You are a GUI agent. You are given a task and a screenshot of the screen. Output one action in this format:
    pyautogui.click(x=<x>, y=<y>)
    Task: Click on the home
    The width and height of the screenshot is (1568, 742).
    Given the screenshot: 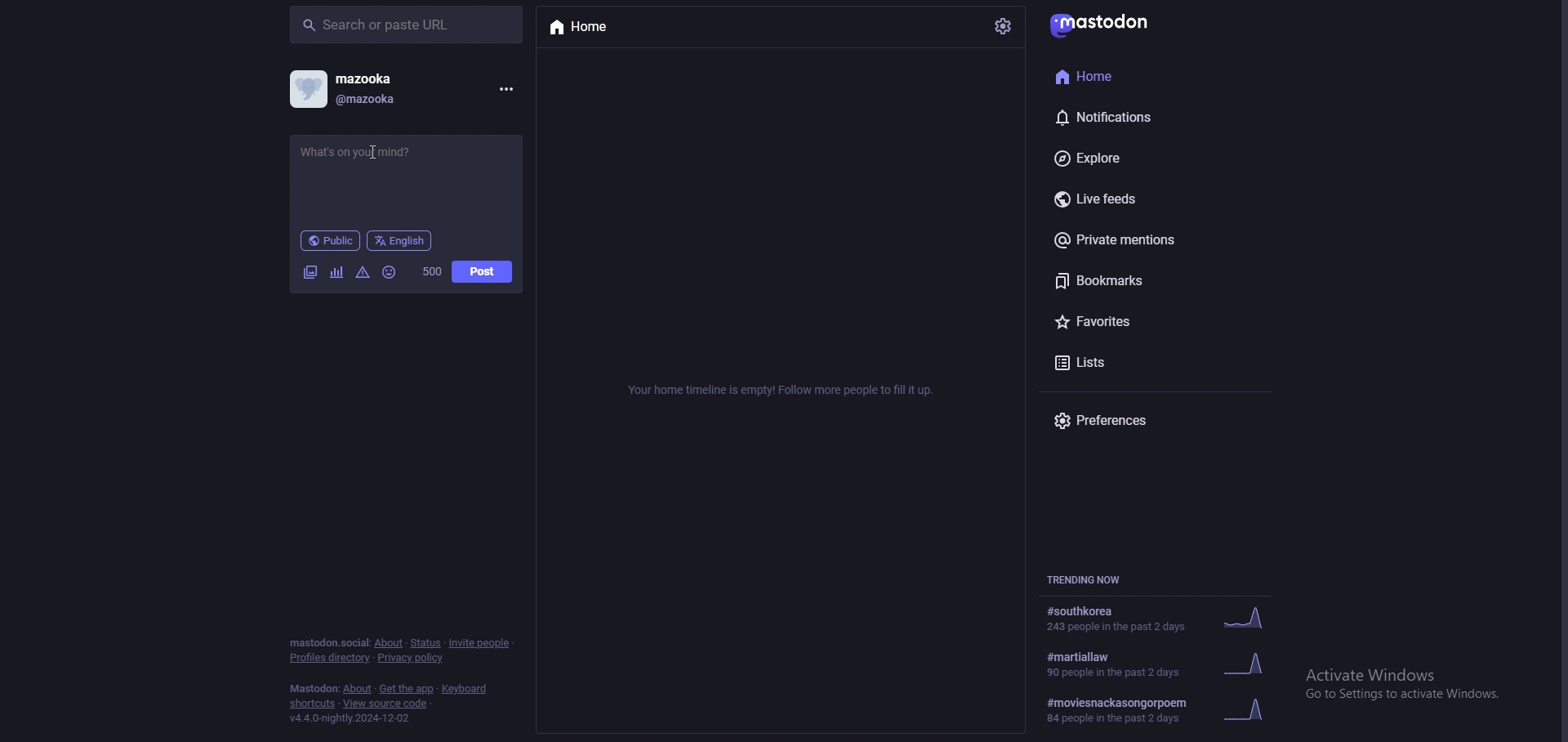 What is the action you would take?
    pyautogui.click(x=595, y=28)
    